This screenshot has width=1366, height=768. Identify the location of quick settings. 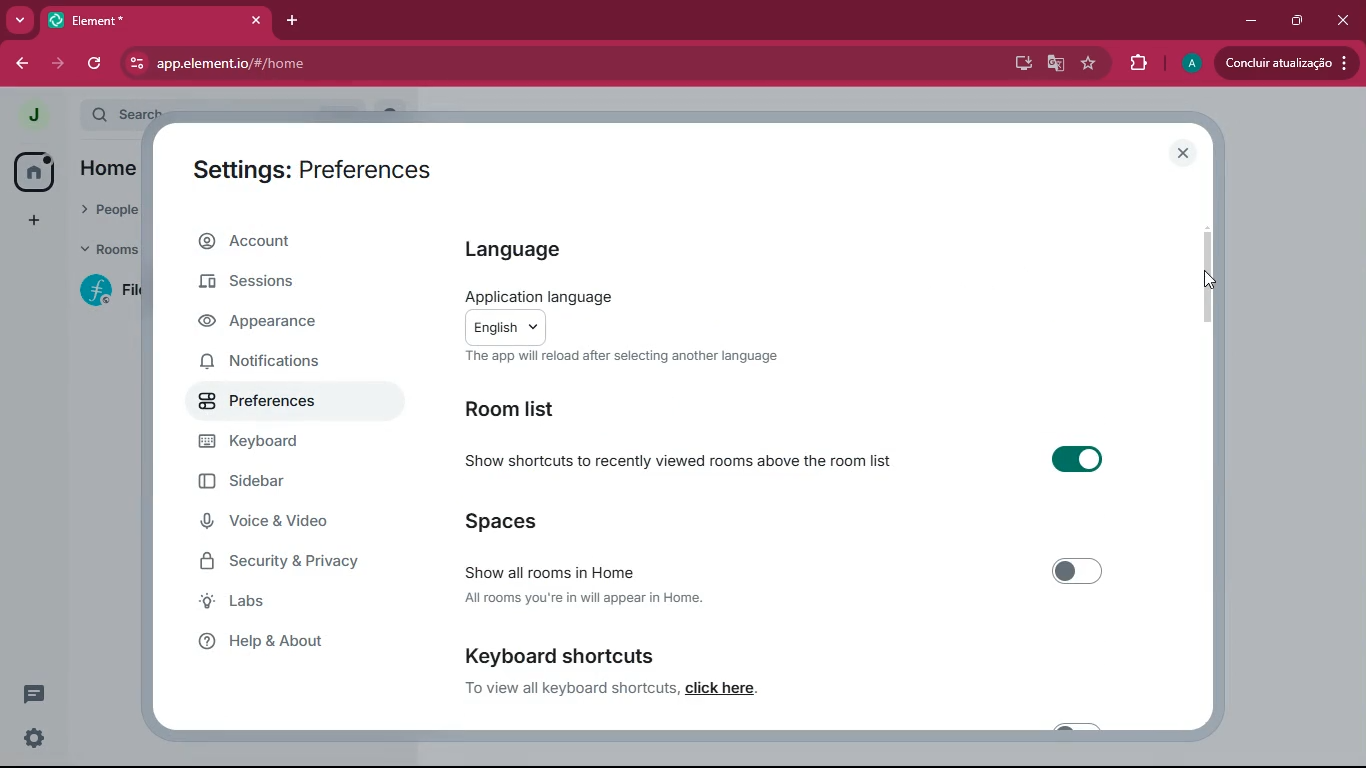
(34, 737).